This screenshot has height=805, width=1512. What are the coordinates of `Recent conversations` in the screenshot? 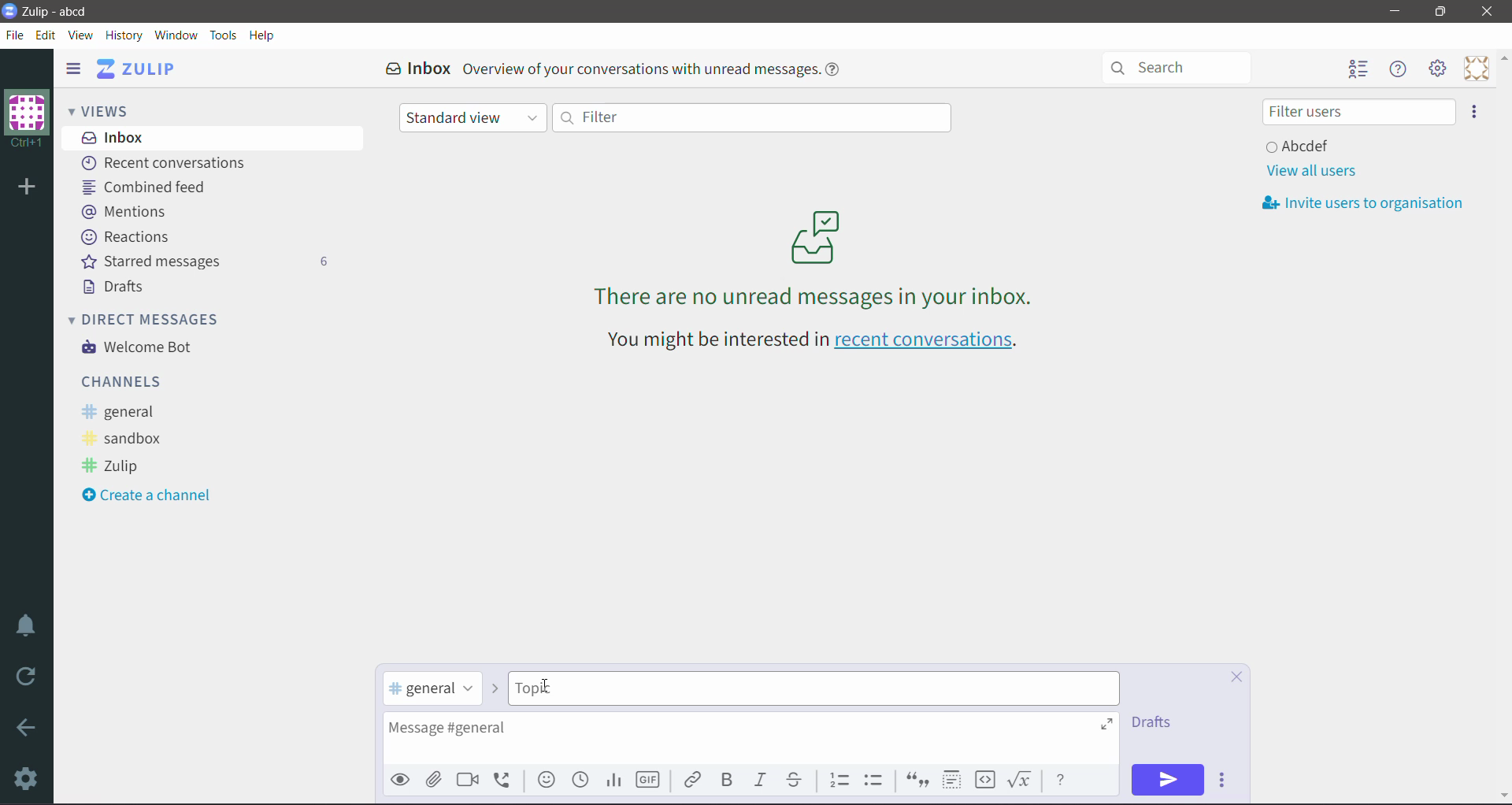 It's located at (169, 164).